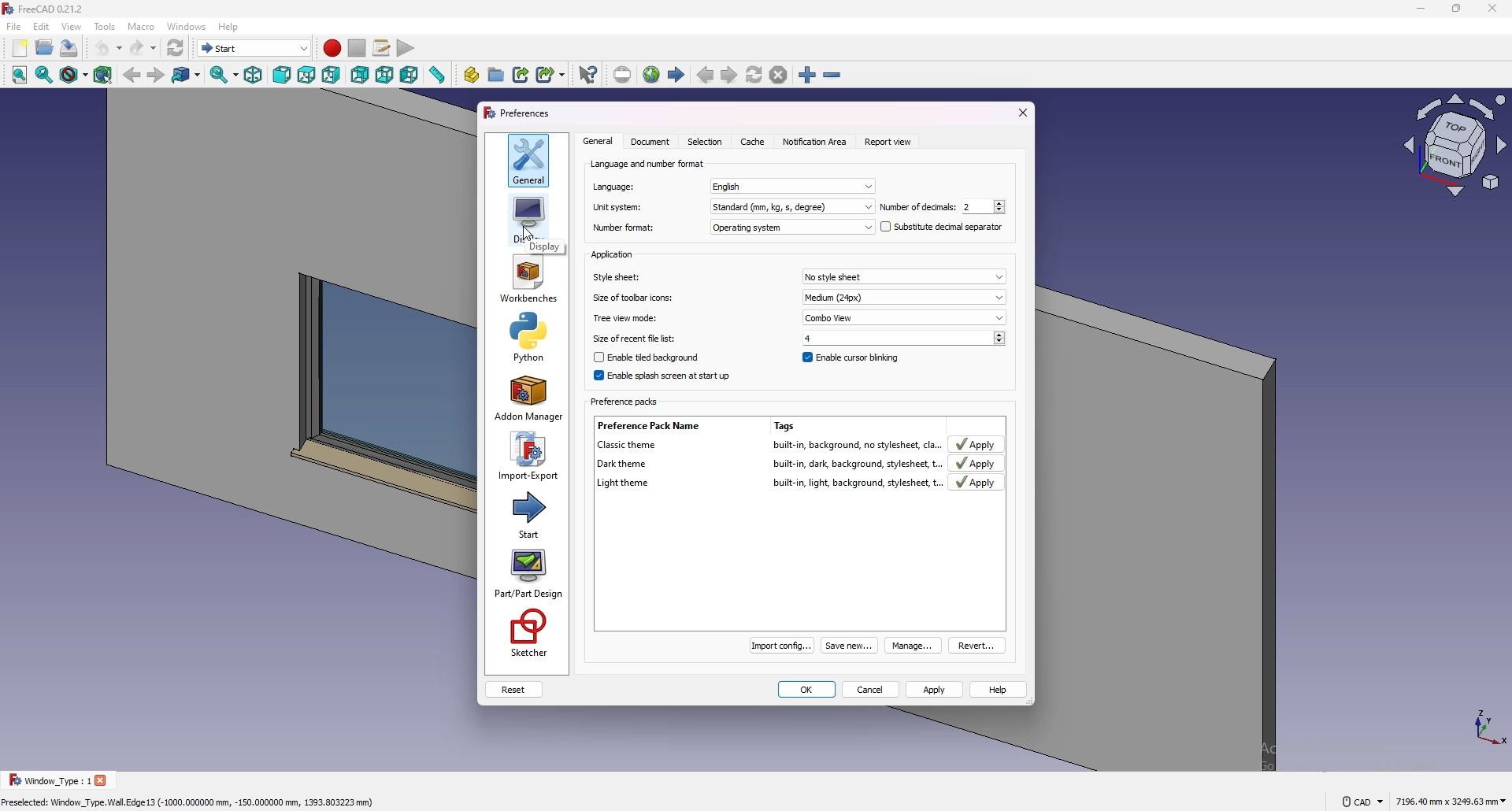 The width and height of the screenshot is (1512, 811). Describe the element at coordinates (807, 691) in the screenshot. I see `ok` at that location.